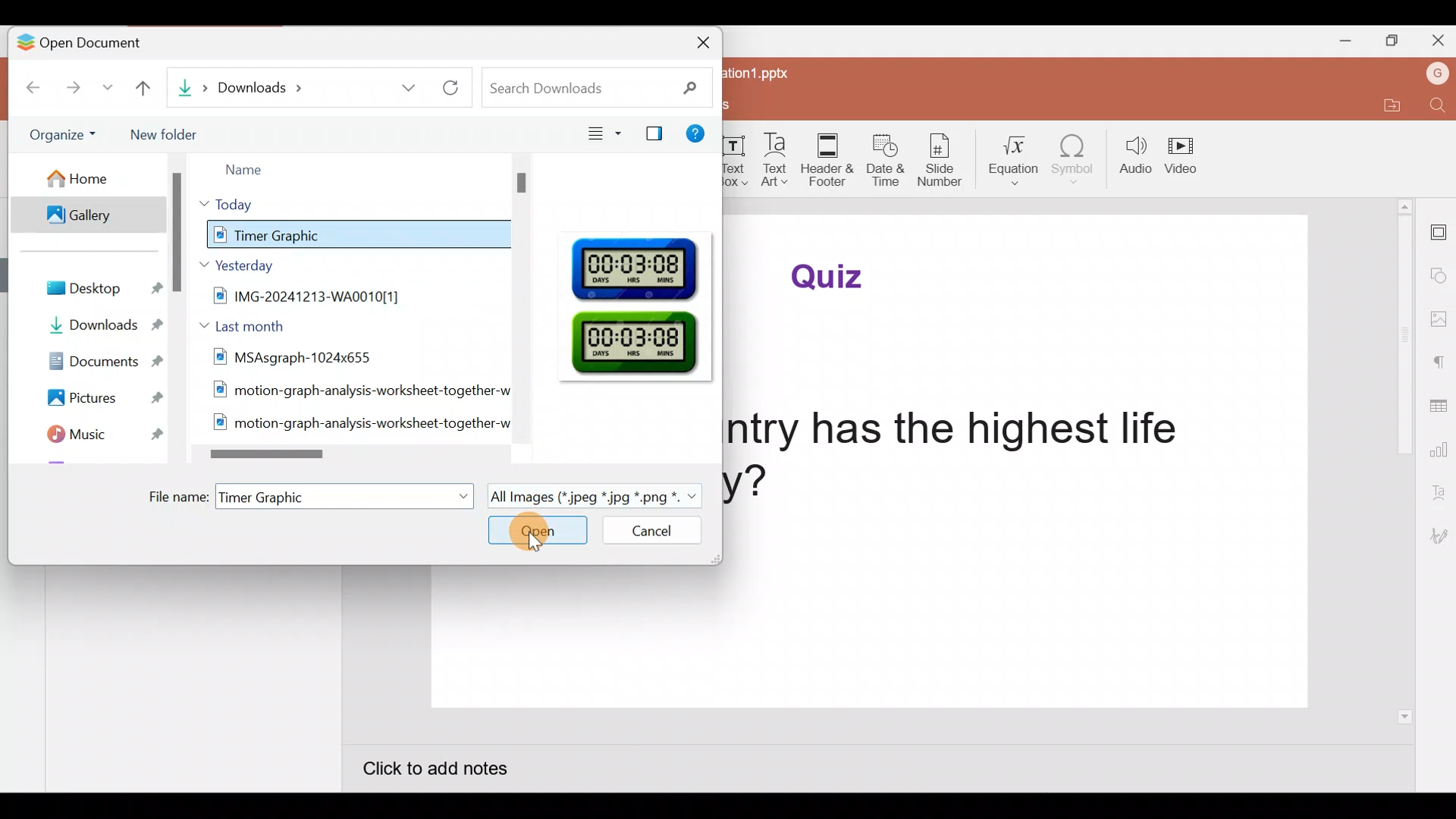  Describe the element at coordinates (833, 275) in the screenshot. I see `Quiz` at that location.